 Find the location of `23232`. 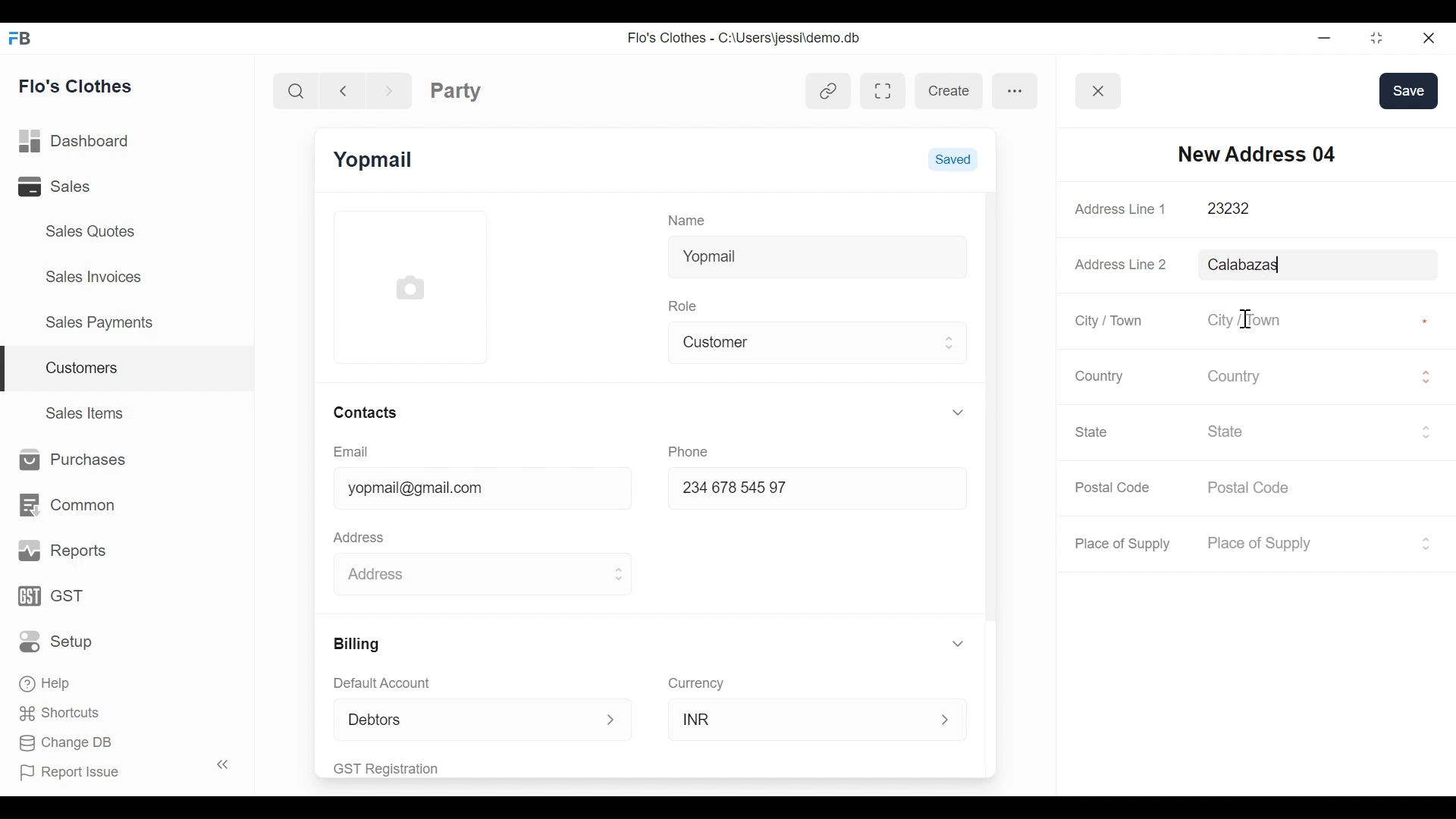

23232 is located at coordinates (1302, 209).